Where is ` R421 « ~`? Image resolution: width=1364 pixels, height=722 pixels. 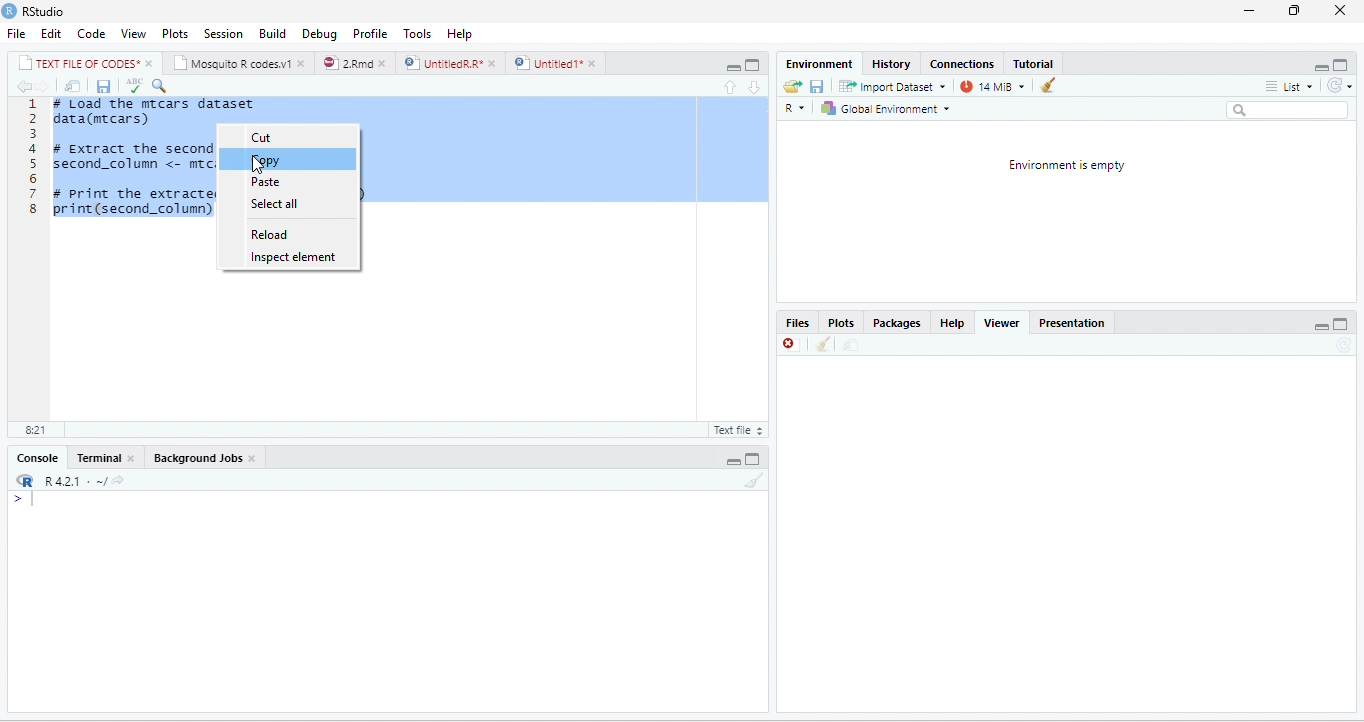  R421 « ~ is located at coordinates (66, 478).